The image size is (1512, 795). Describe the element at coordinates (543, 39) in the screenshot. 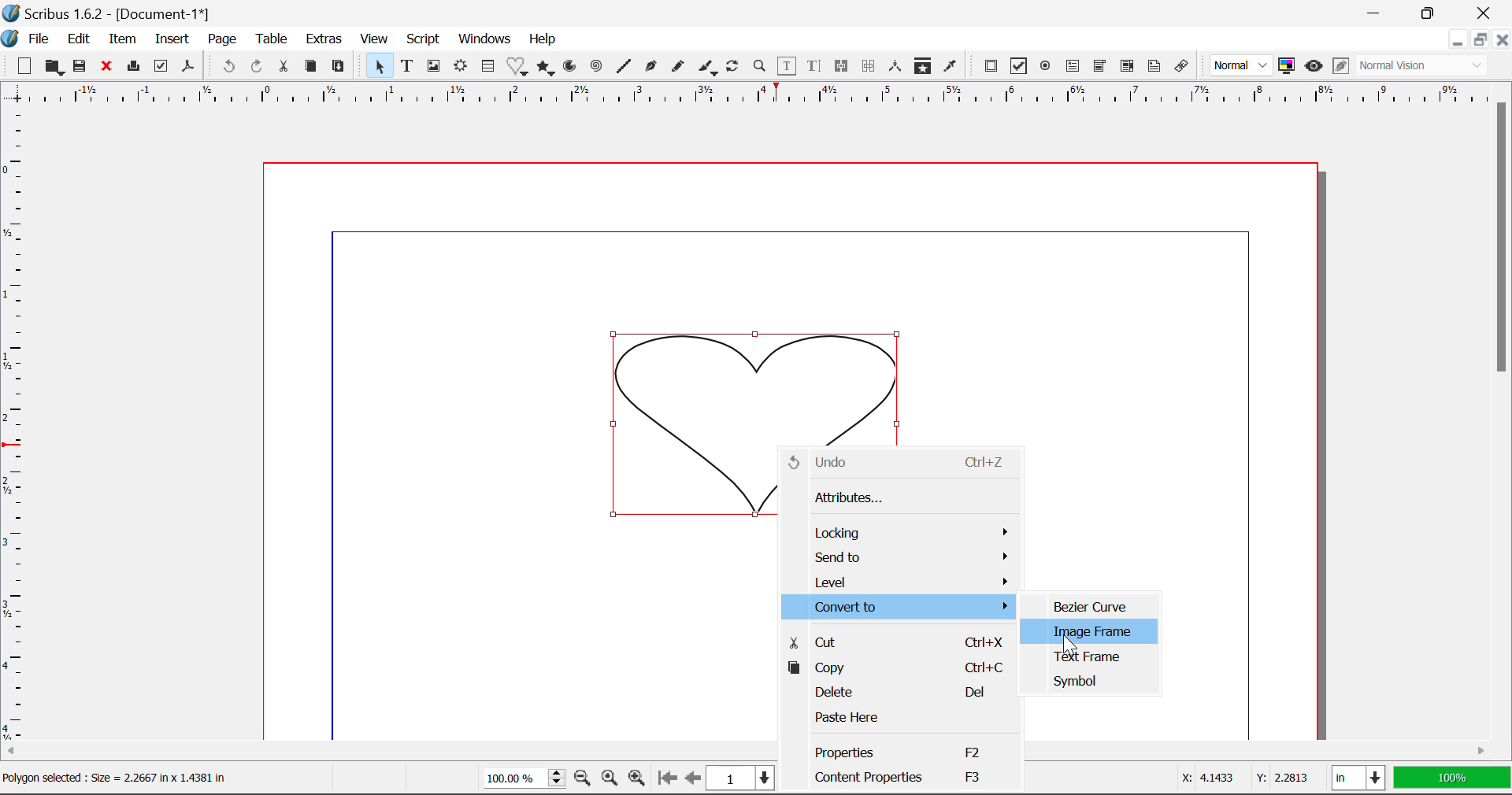

I see `Help` at that location.